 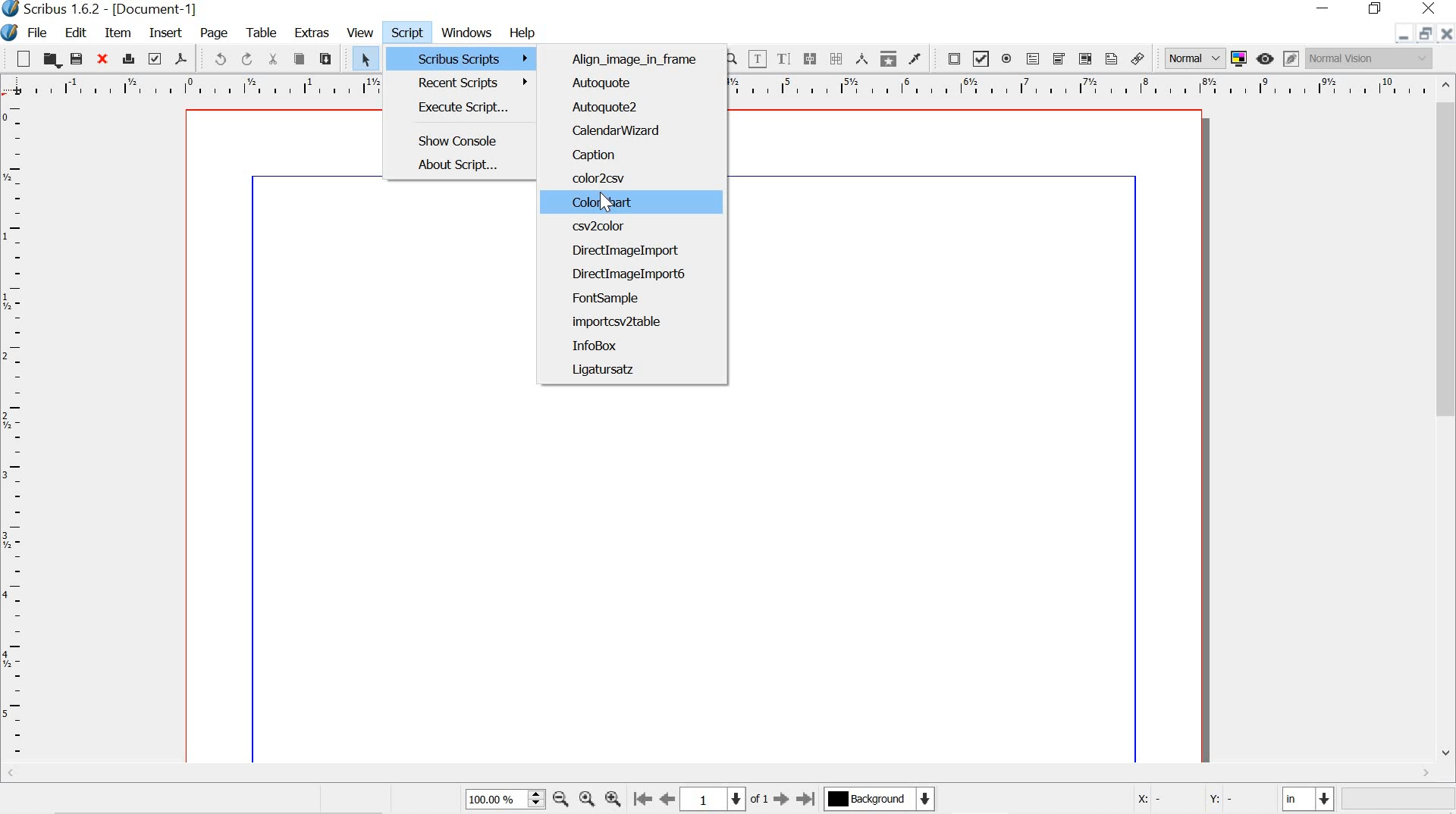 I want to click on Help, so click(x=524, y=33).